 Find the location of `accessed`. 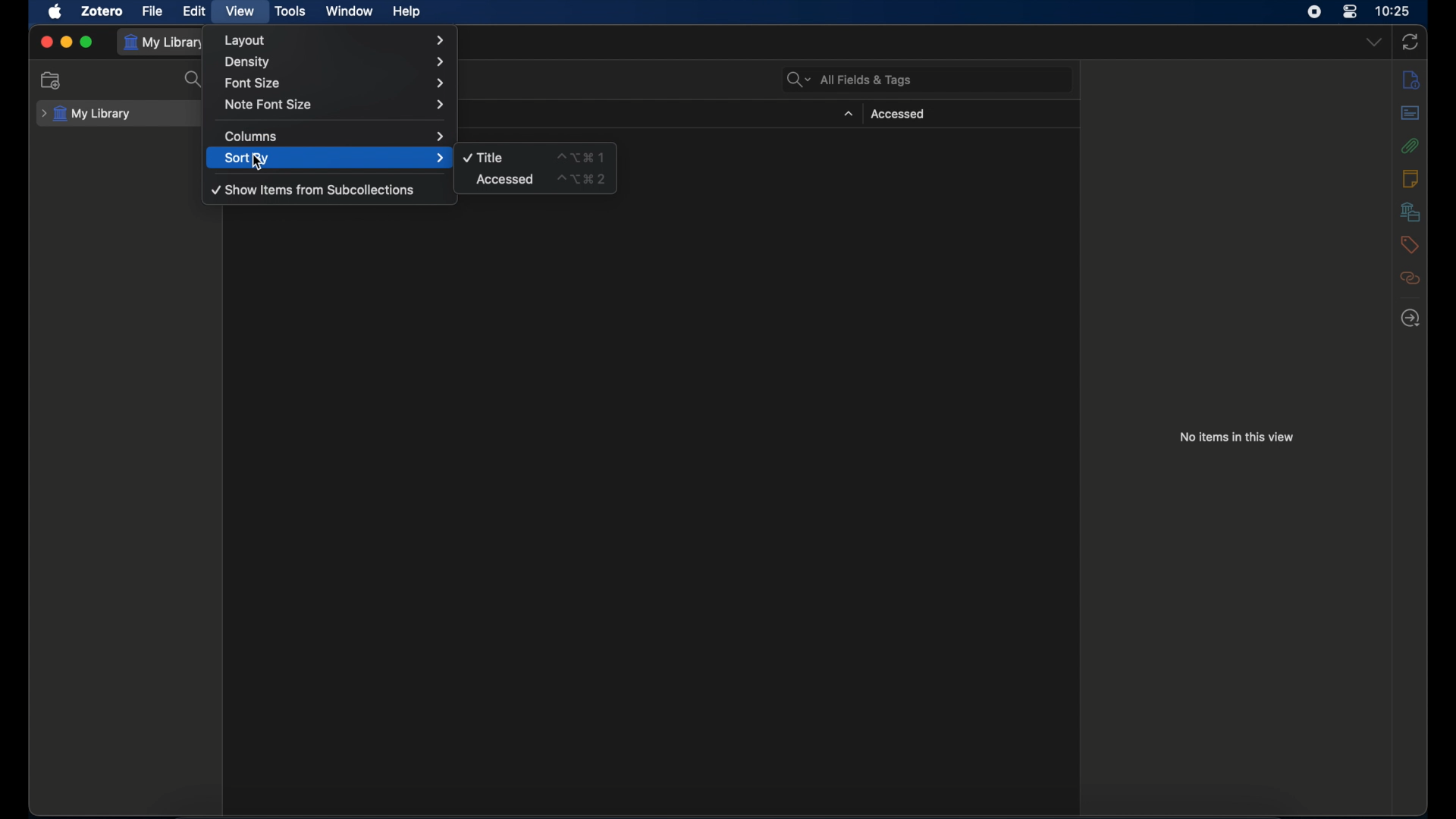

accessed is located at coordinates (506, 180).